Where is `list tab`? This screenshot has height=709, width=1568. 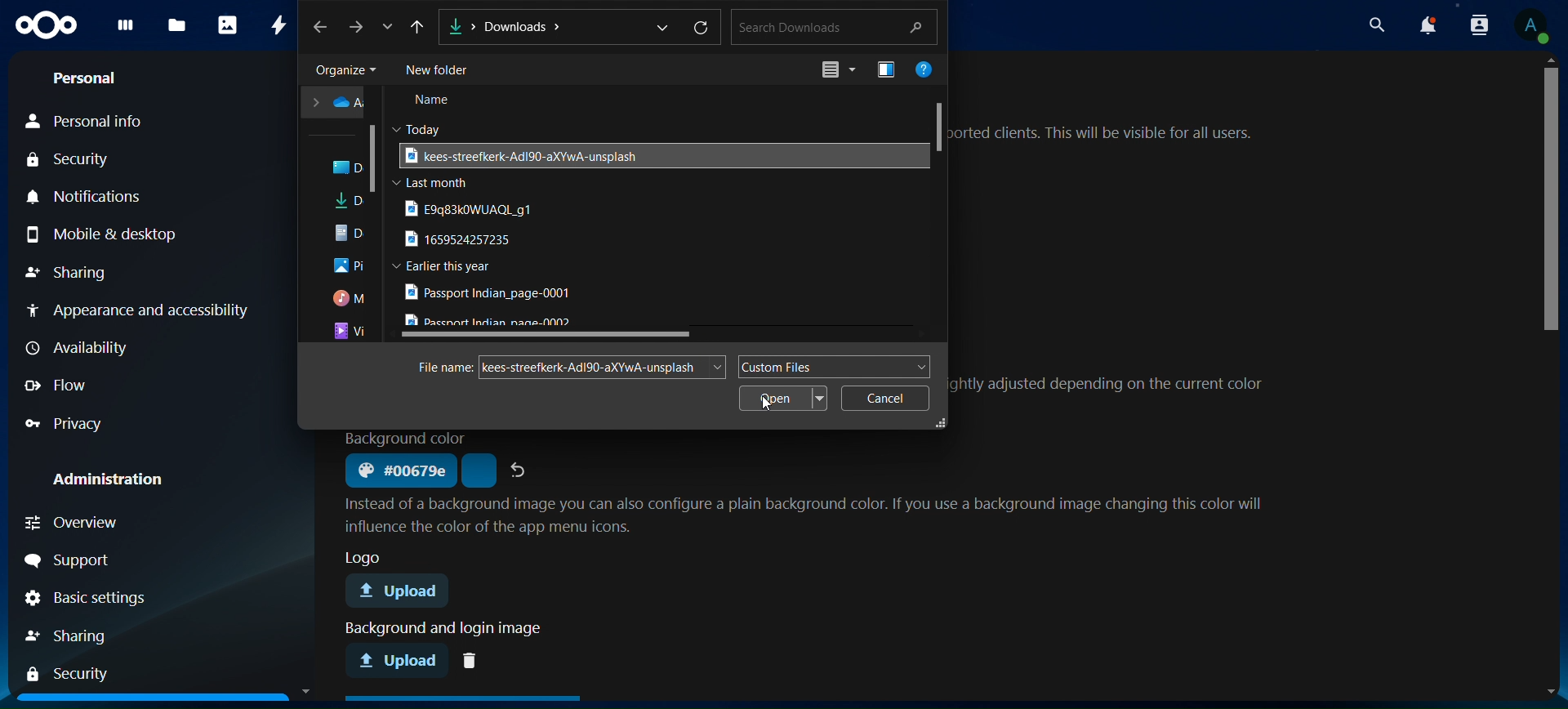 list tab is located at coordinates (391, 29).